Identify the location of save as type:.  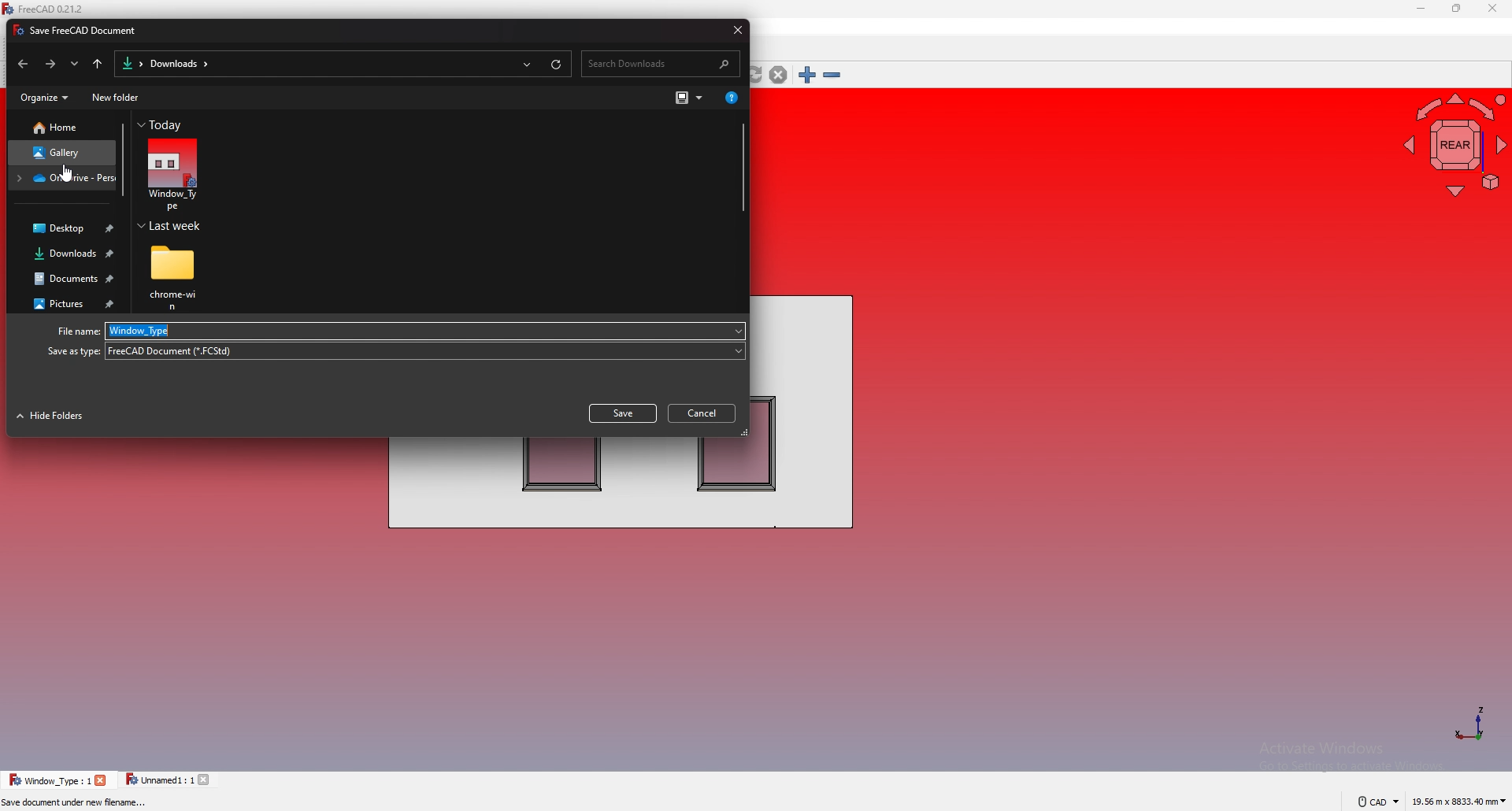
(72, 351).